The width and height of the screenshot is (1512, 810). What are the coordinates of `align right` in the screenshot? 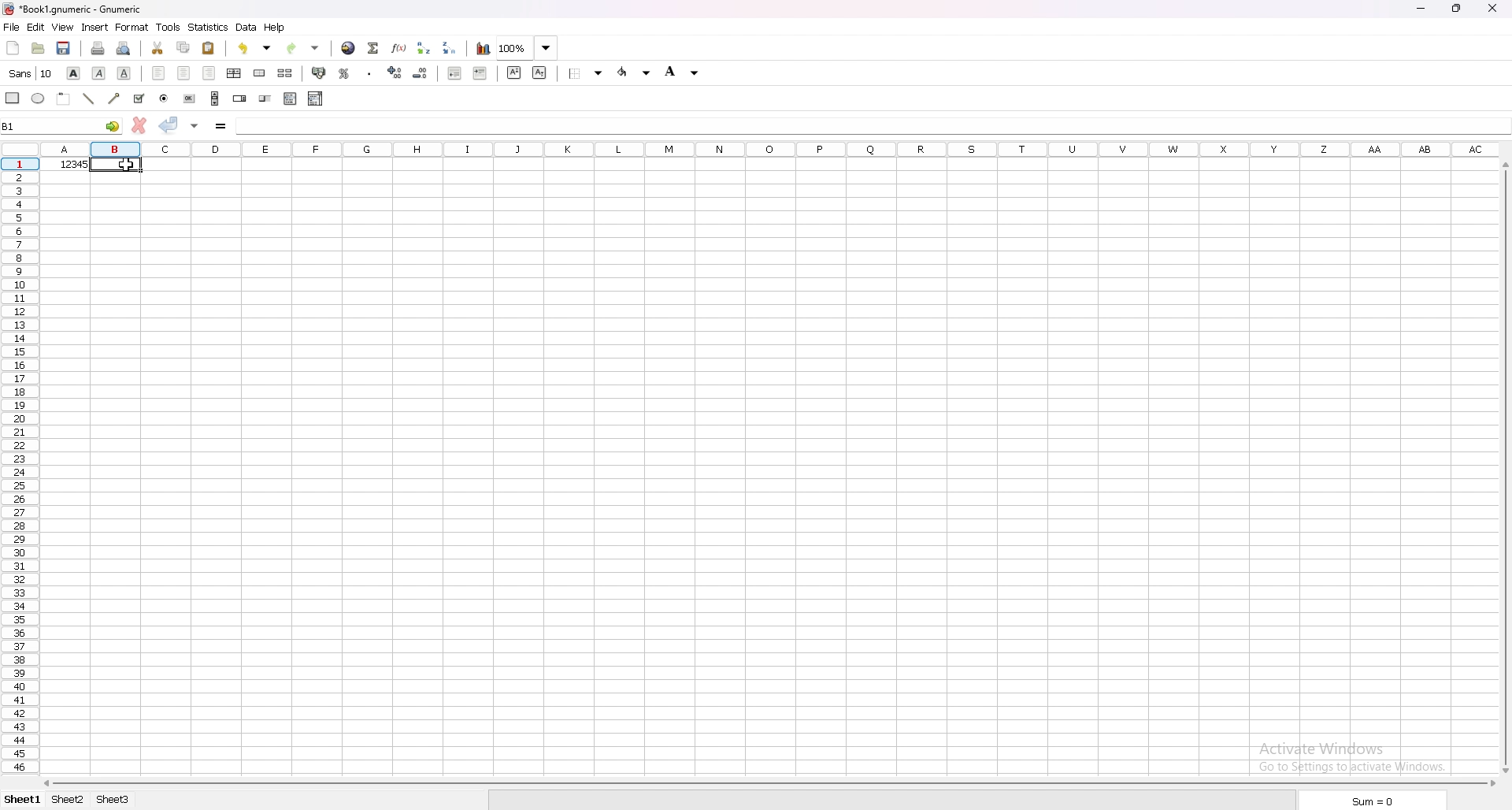 It's located at (208, 73).